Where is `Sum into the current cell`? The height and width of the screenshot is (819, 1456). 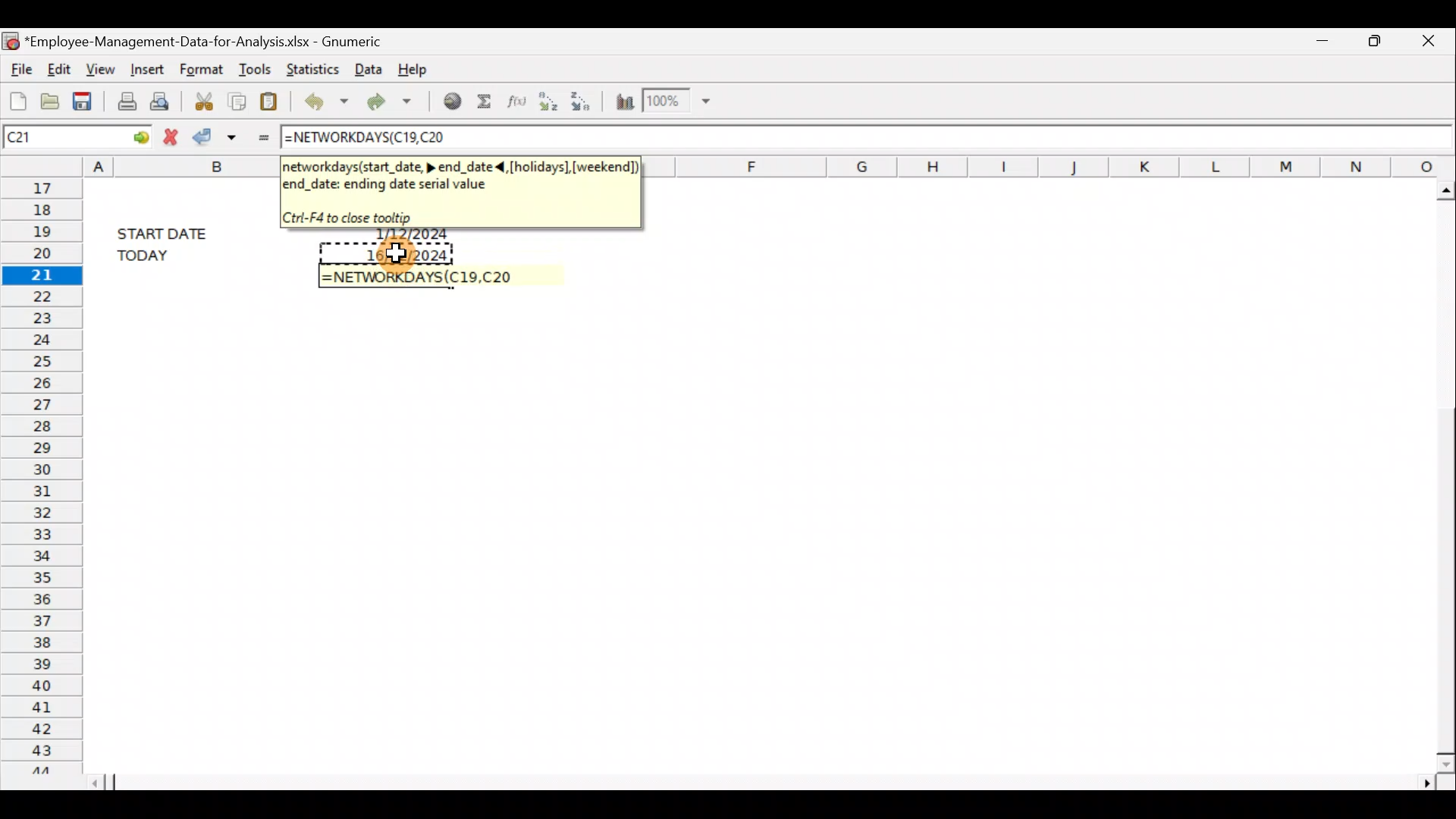
Sum into the current cell is located at coordinates (484, 102).